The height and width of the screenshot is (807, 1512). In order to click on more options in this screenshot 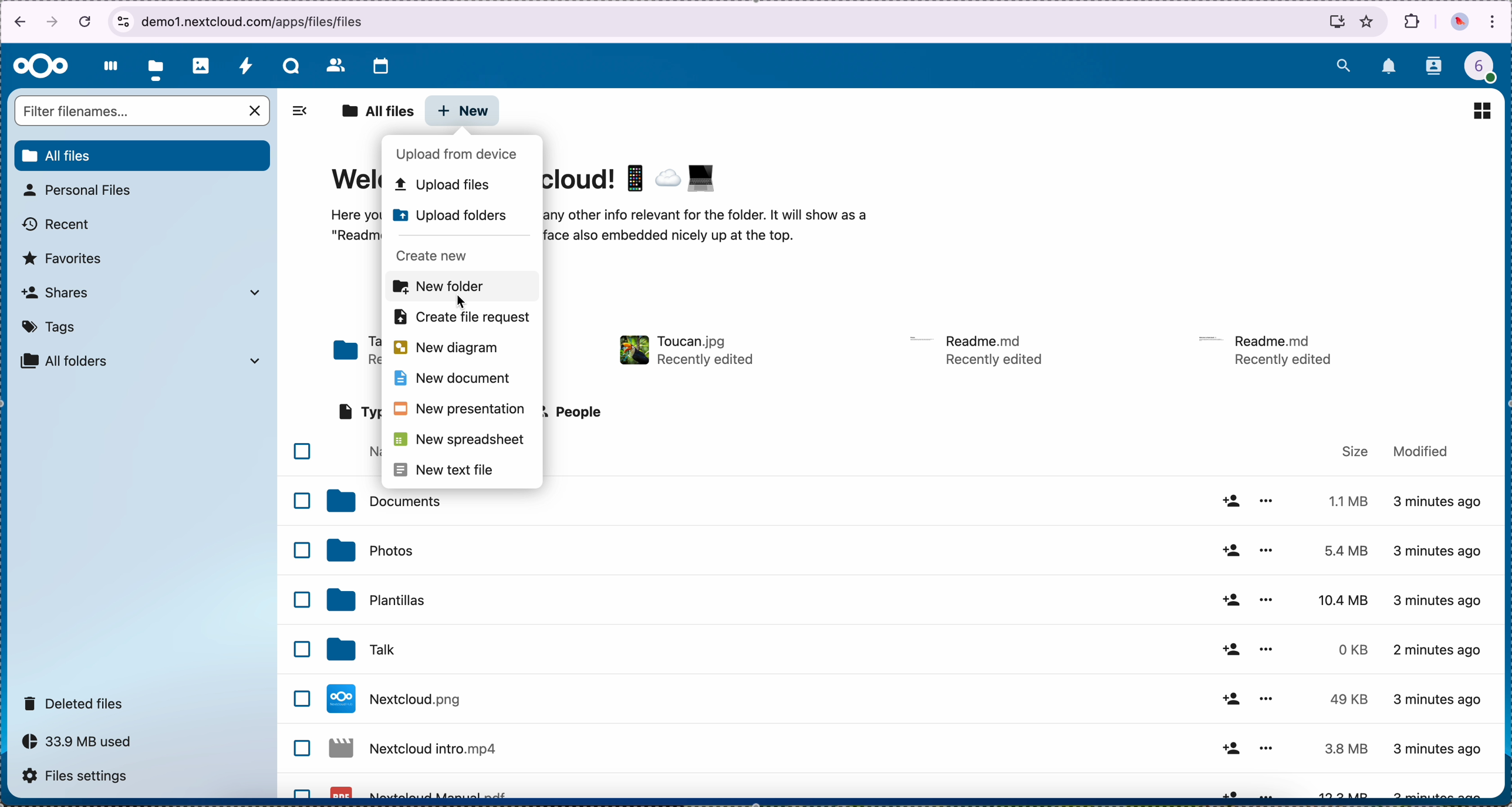, I will do `click(1264, 748)`.